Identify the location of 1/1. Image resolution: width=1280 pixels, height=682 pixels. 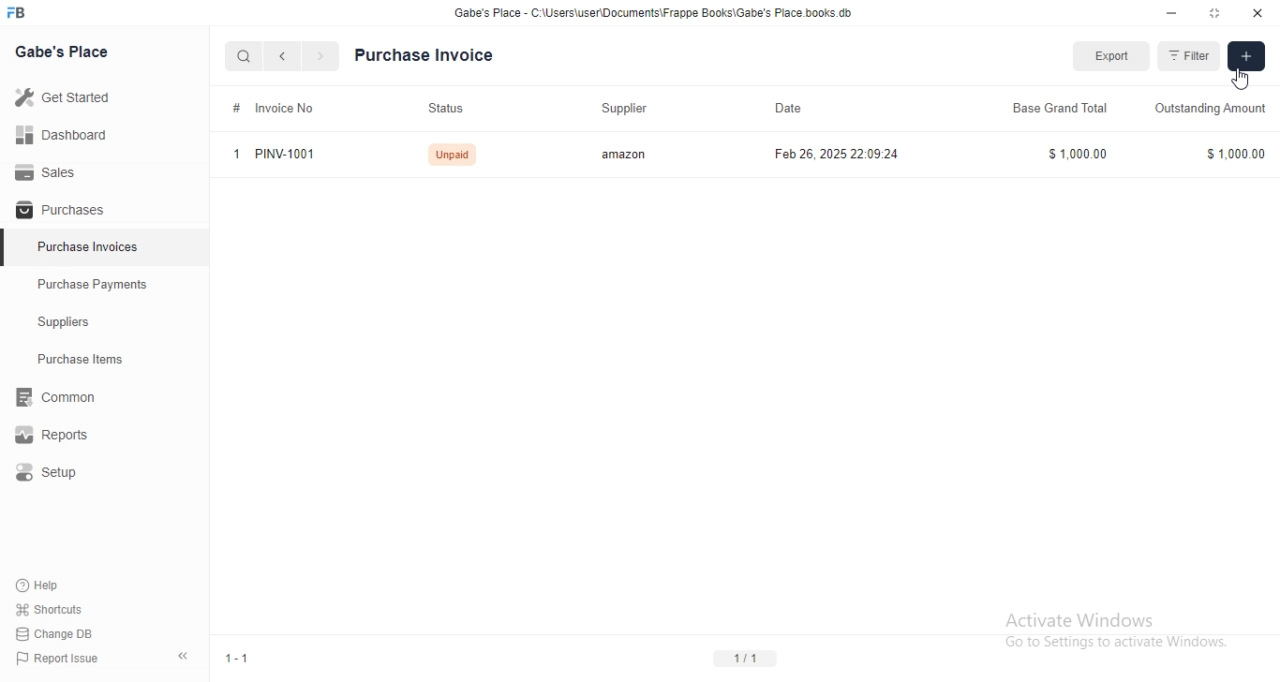
(745, 659).